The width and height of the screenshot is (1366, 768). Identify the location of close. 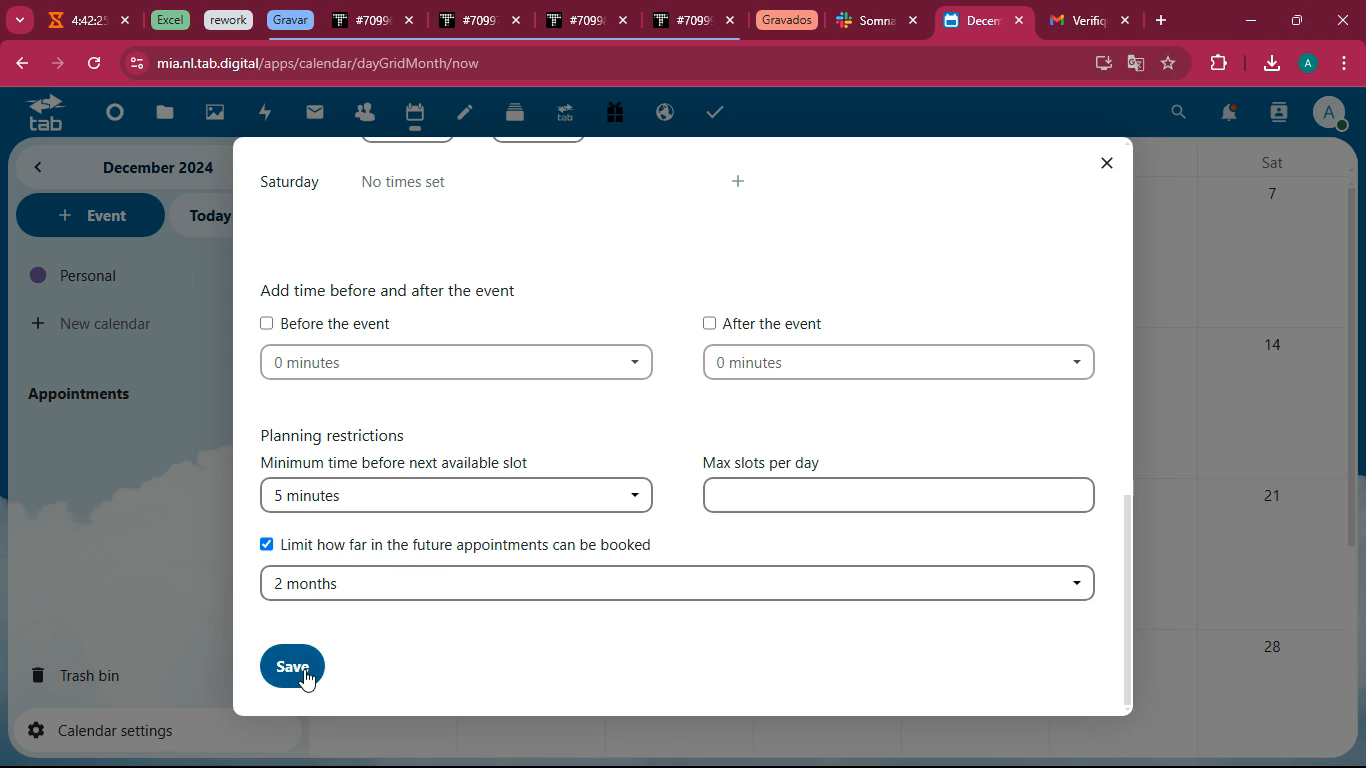
(731, 22).